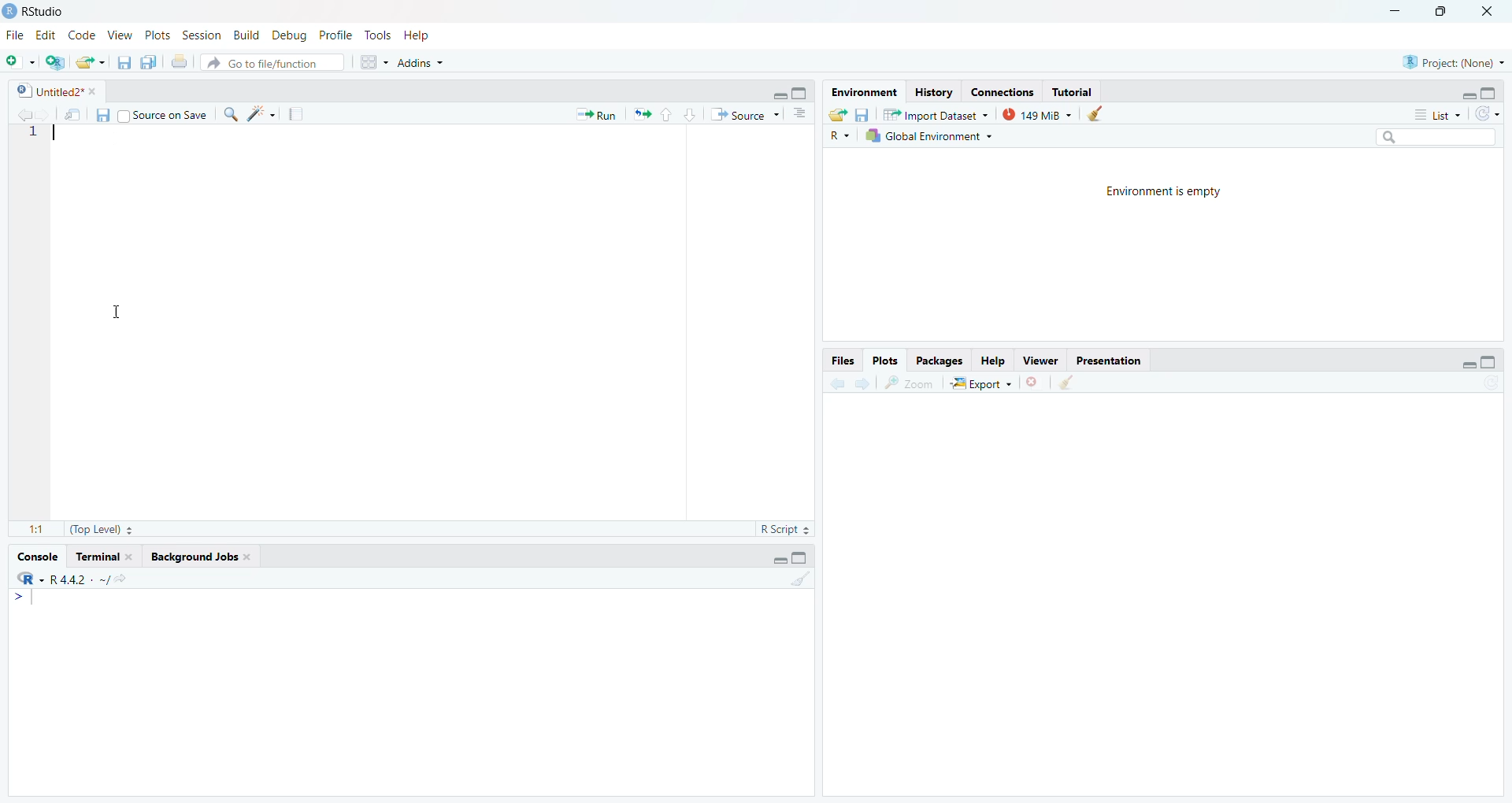 Image resolution: width=1512 pixels, height=803 pixels. Describe the element at coordinates (122, 579) in the screenshot. I see `View the current working directory` at that location.